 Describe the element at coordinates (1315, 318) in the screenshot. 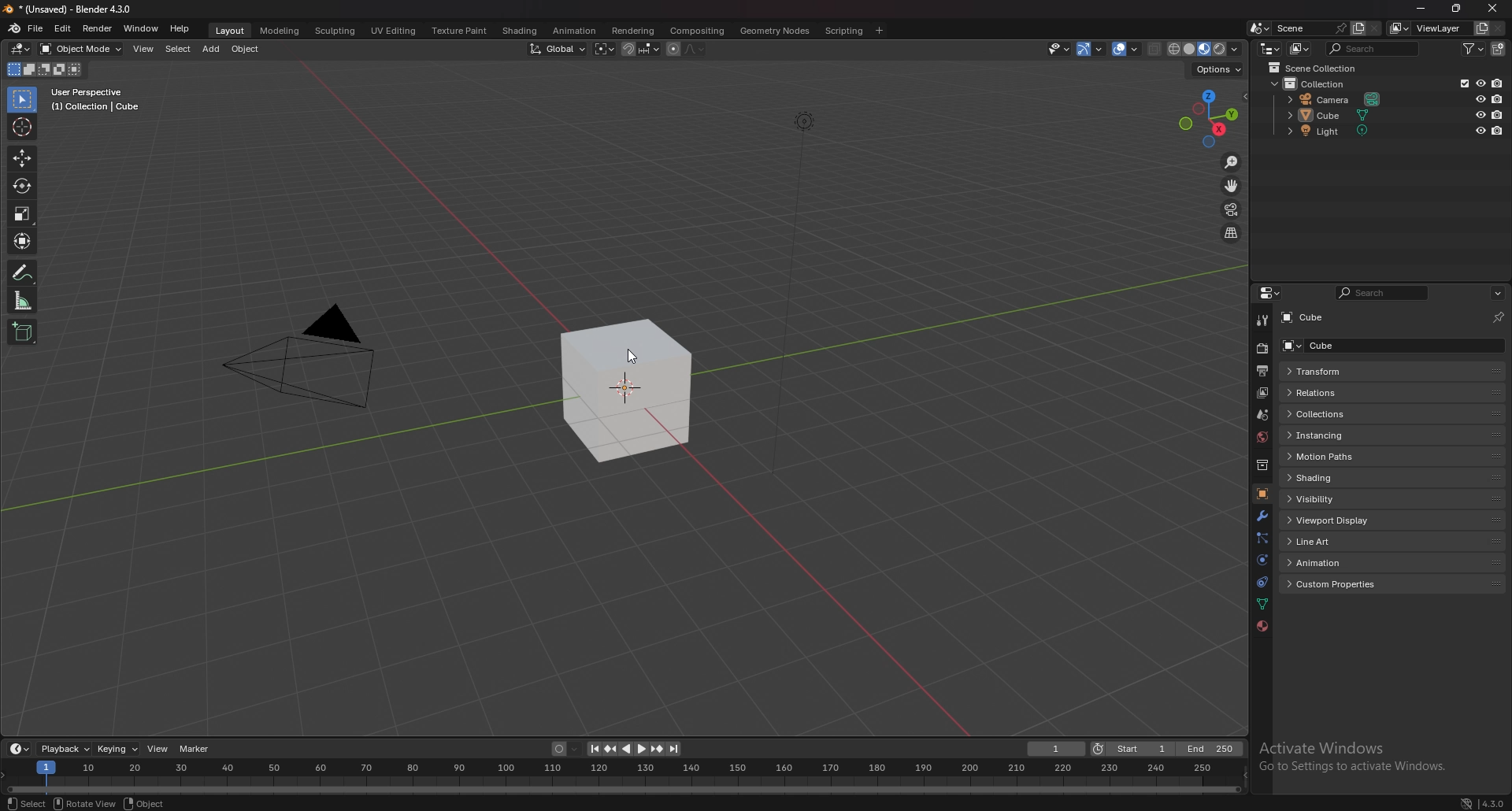

I see `cube` at that location.